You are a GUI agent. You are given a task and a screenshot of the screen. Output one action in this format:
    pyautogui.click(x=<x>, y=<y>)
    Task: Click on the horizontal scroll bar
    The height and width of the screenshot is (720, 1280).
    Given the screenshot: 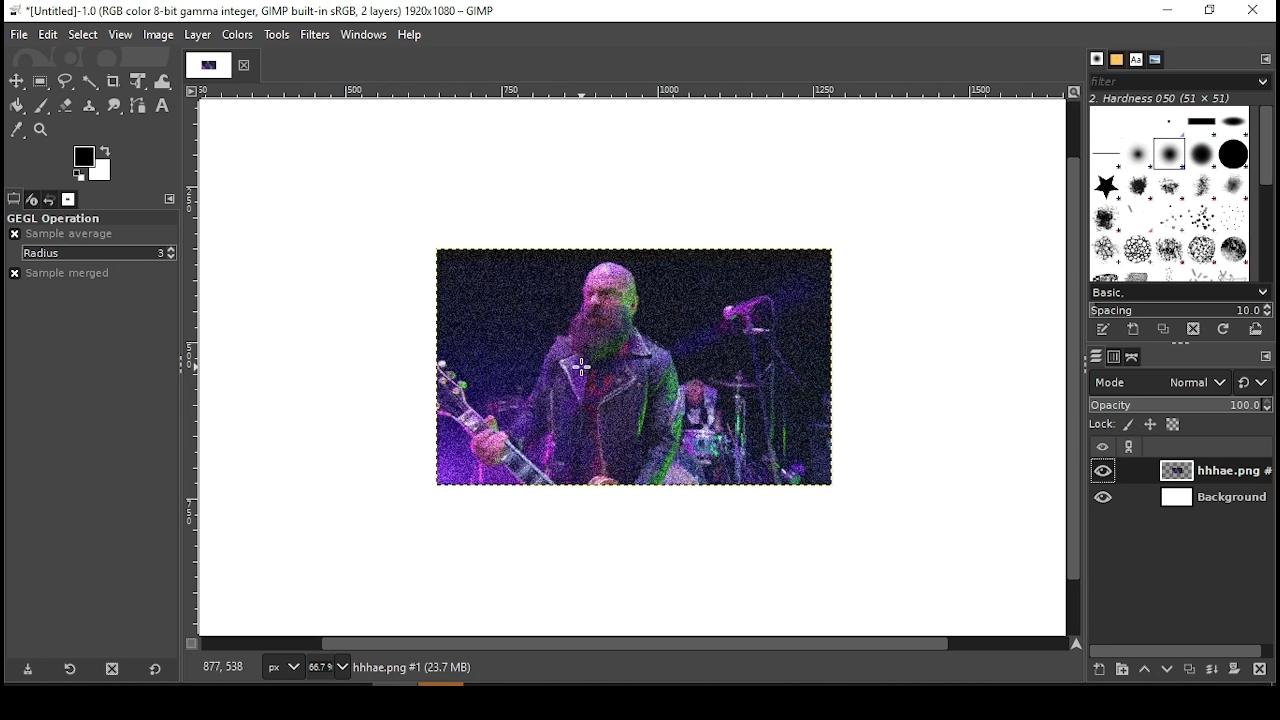 What is the action you would take?
    pyautogui.click(x=634, y=645)
    